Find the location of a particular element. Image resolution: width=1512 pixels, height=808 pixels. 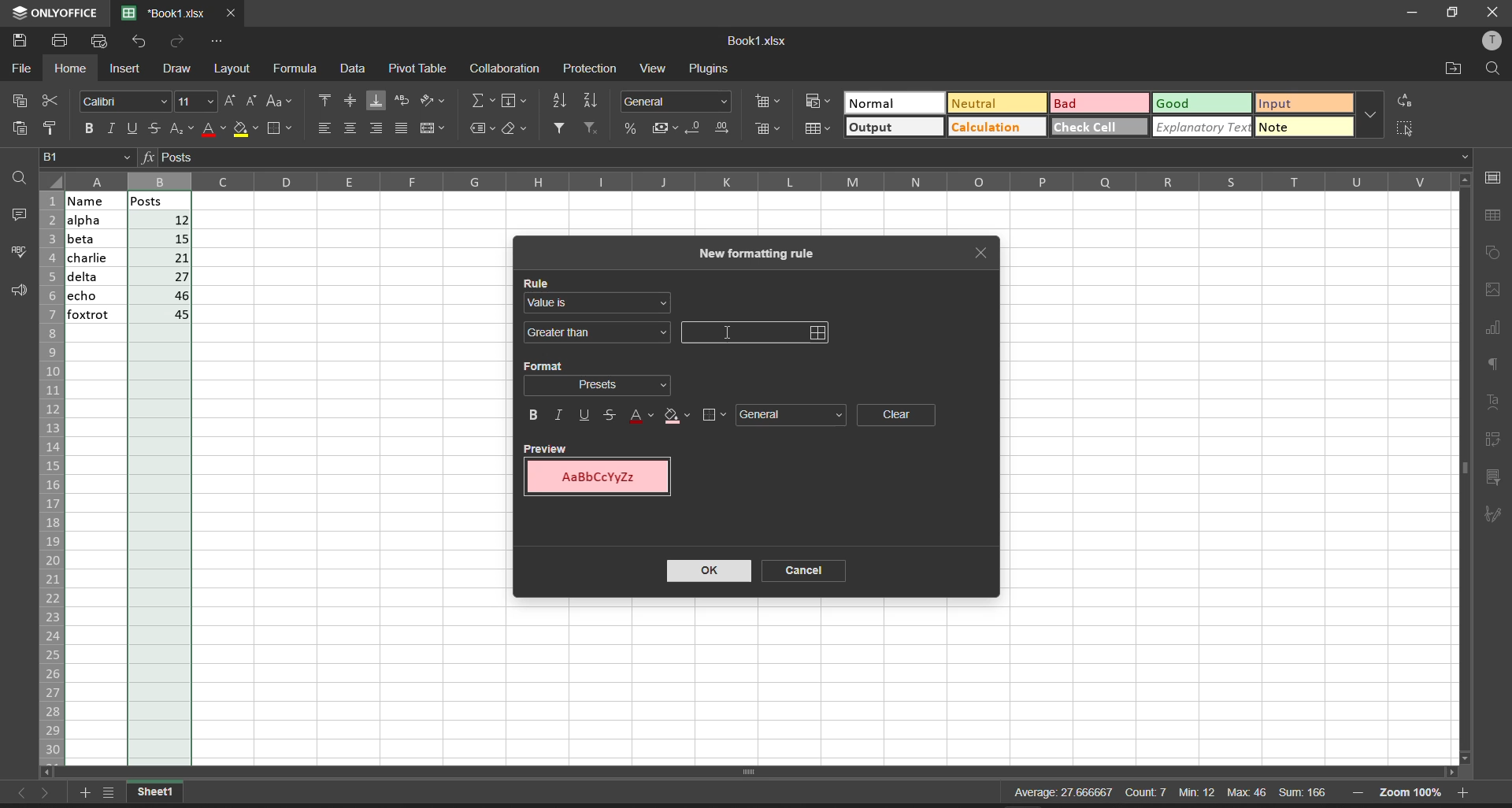

clear filters is located at coordinates (590, 131).